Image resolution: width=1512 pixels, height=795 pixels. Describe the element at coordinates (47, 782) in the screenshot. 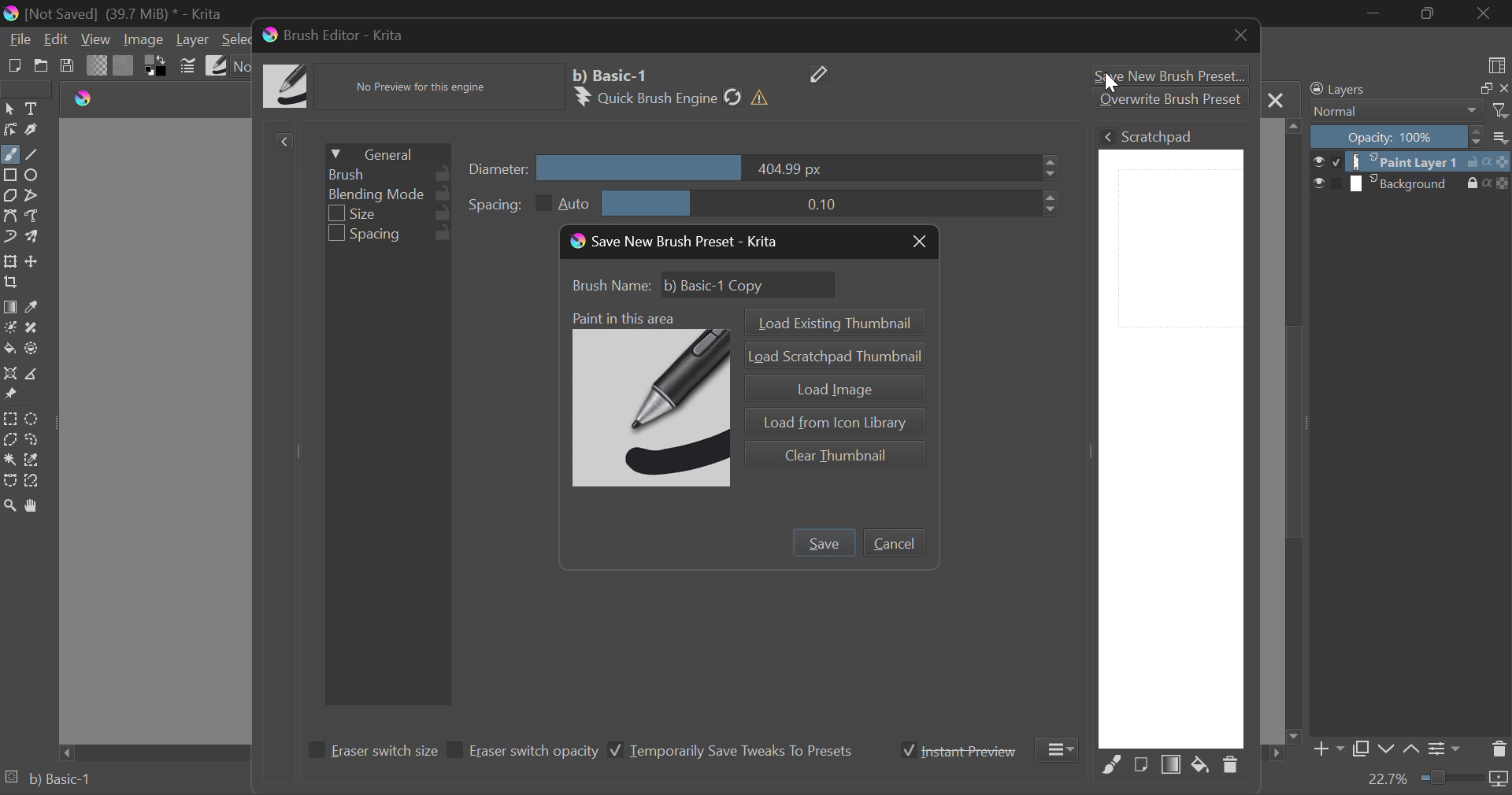

I see `Brush Preset Selected` at that location.